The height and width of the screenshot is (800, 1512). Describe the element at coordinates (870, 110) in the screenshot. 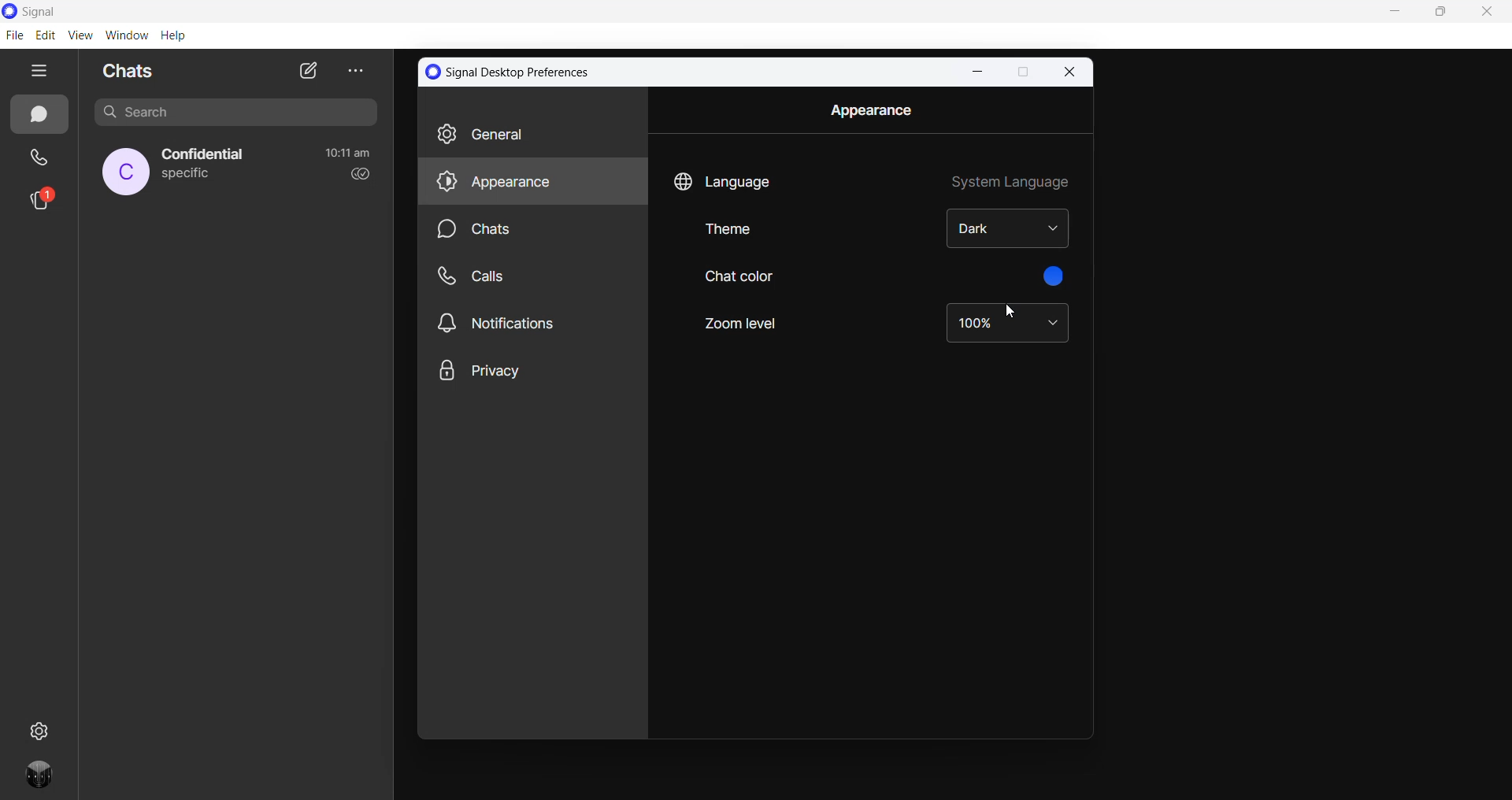

I see `appearance heading` at that location.